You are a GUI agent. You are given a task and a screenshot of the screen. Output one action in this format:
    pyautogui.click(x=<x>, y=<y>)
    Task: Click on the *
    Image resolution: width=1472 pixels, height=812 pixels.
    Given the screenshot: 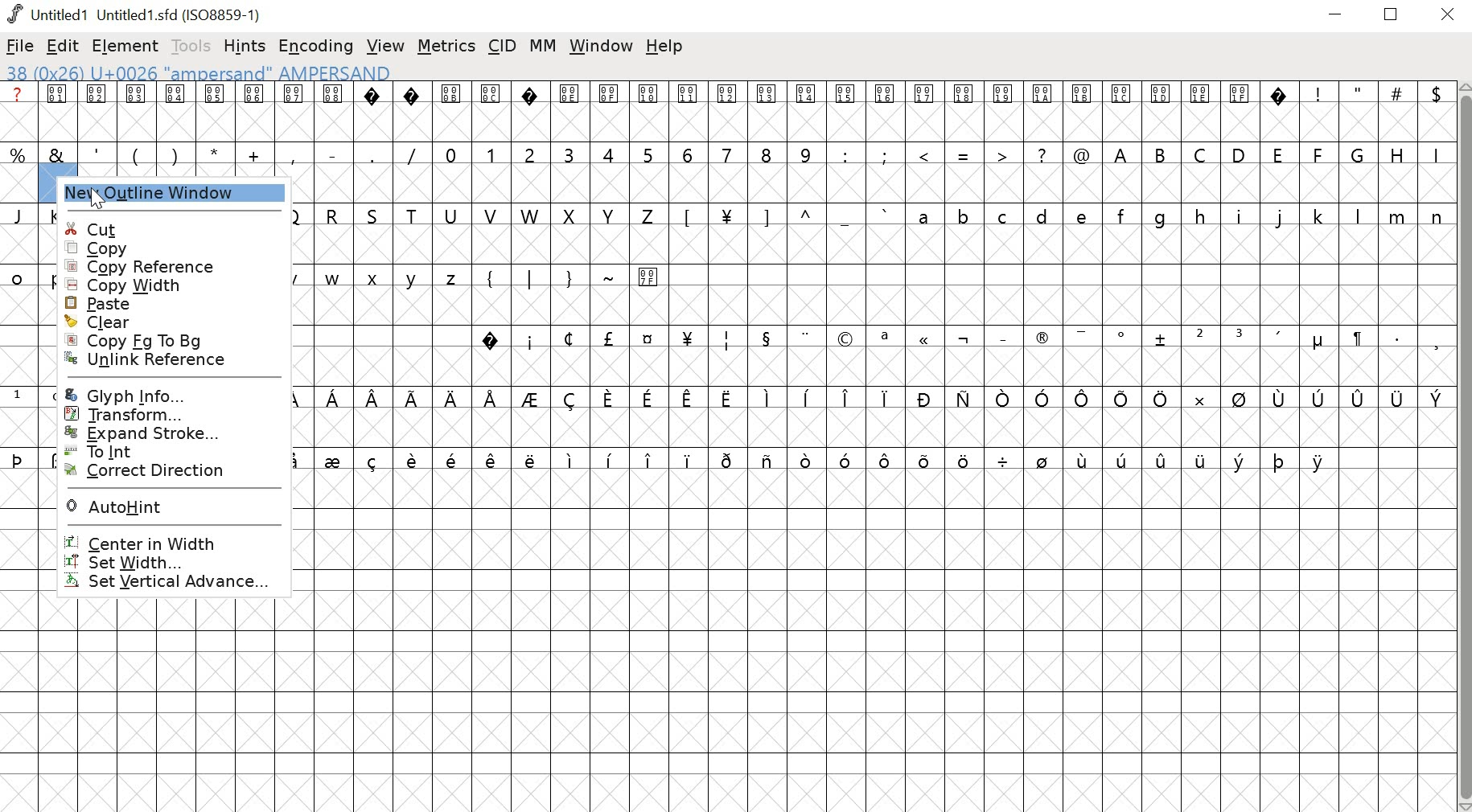 What is the action you would take?
    pyautogui.click(x=215, y=154)
    